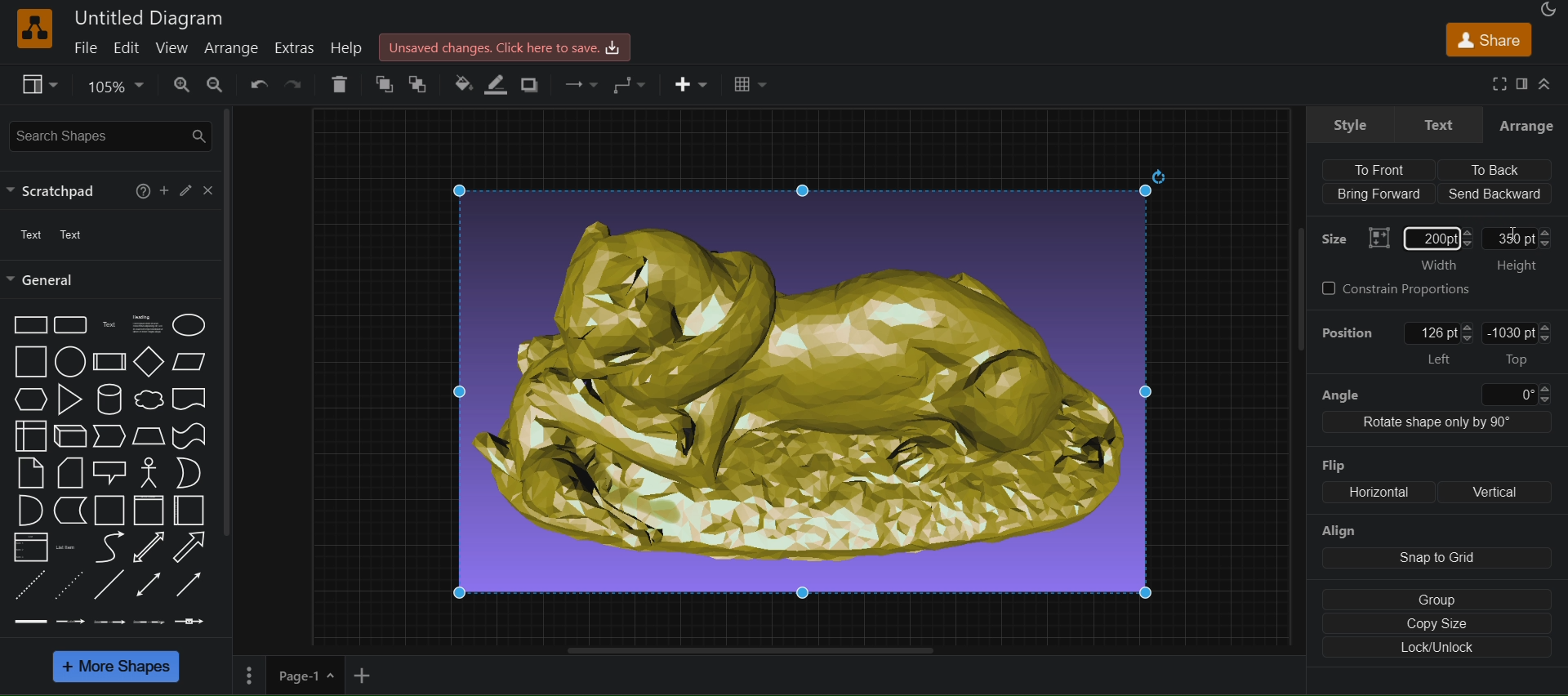  What do you see at coordinates (247, 678) in the screenshot?
I see `Menu` at bounding box center [247, 678].